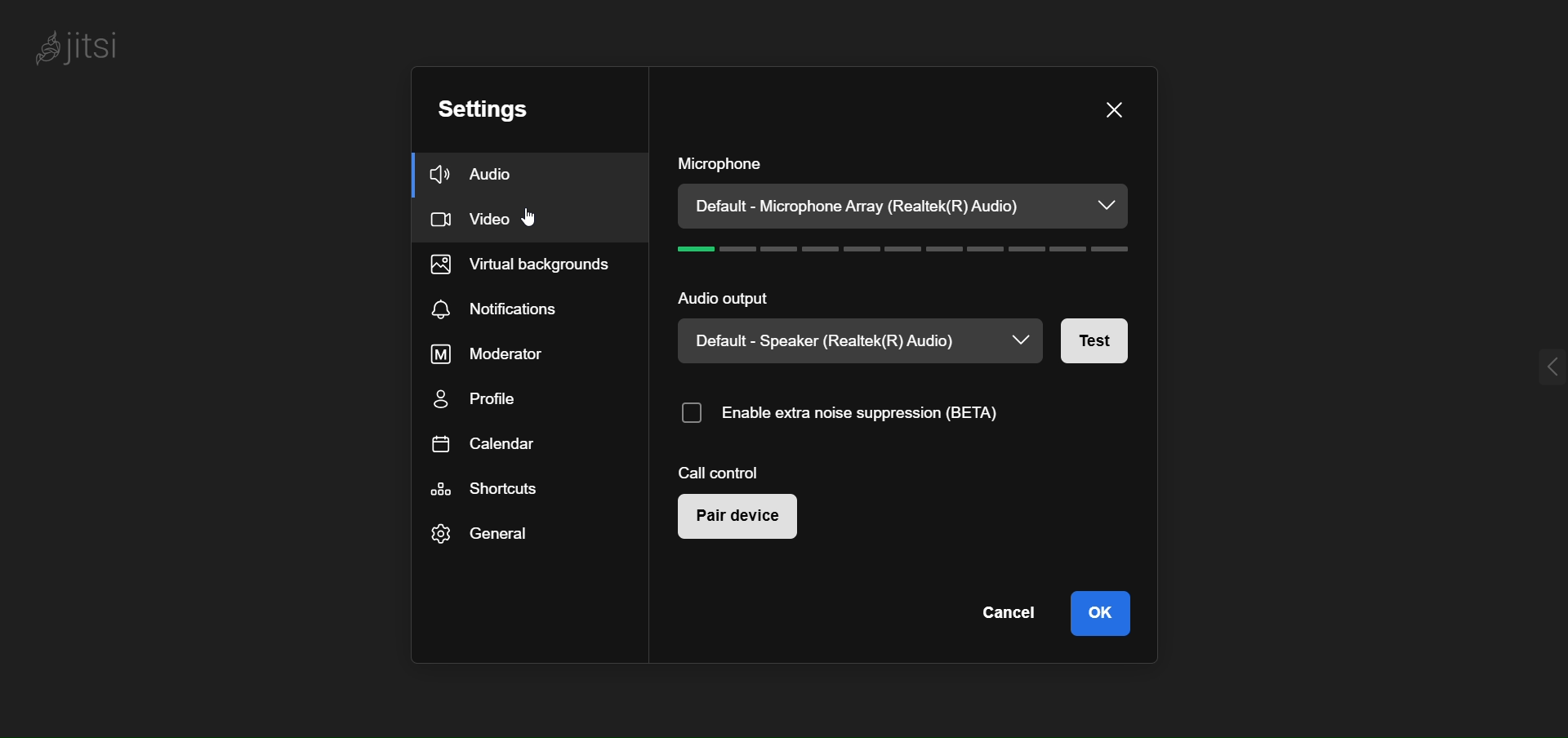  Describe the element at coordinates (492, 107) in the screenshot. I see `setting` at that location.